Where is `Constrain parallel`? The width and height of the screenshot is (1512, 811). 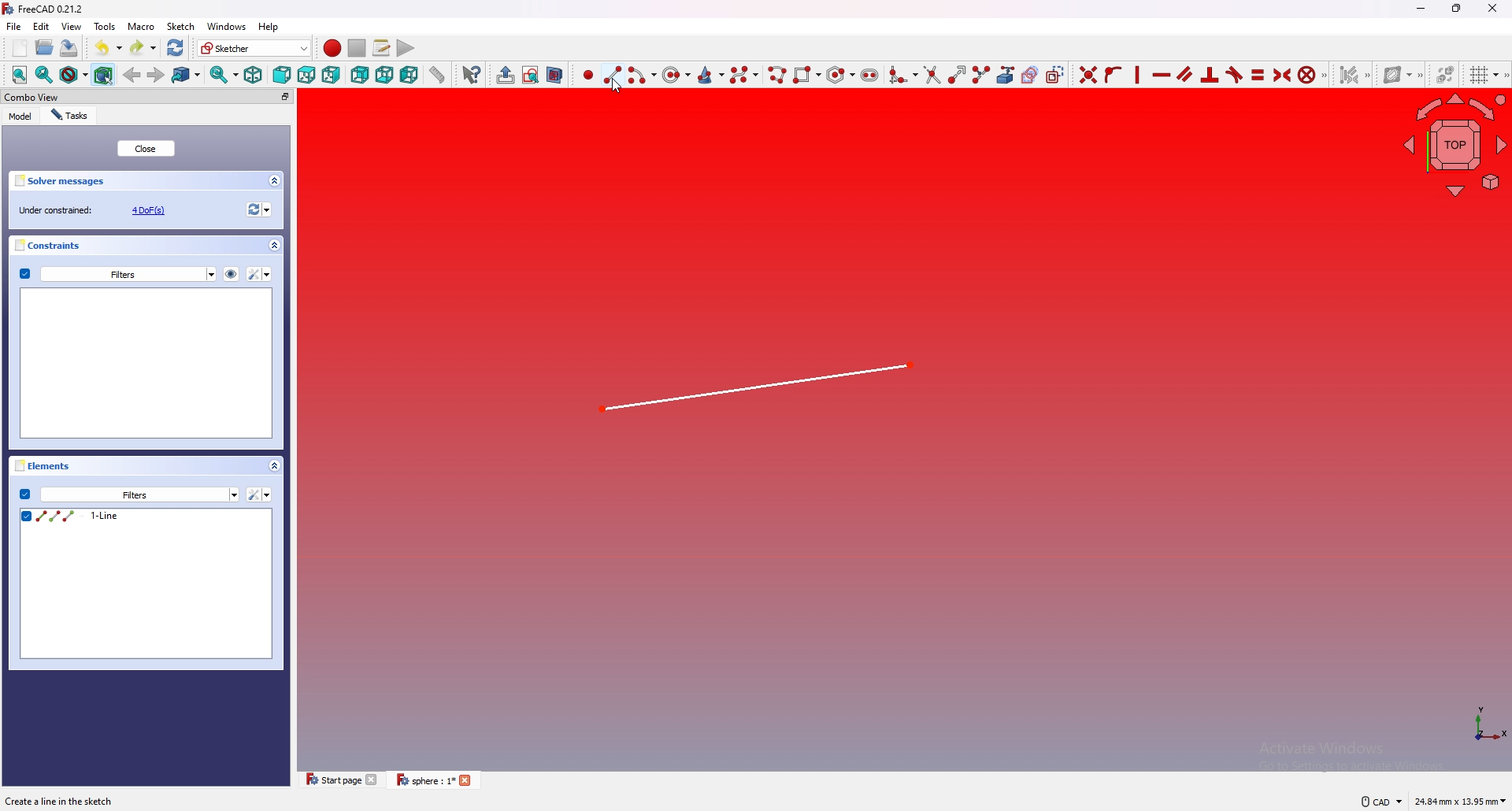
Constrain parallel is located at coordinates (1185, 74).